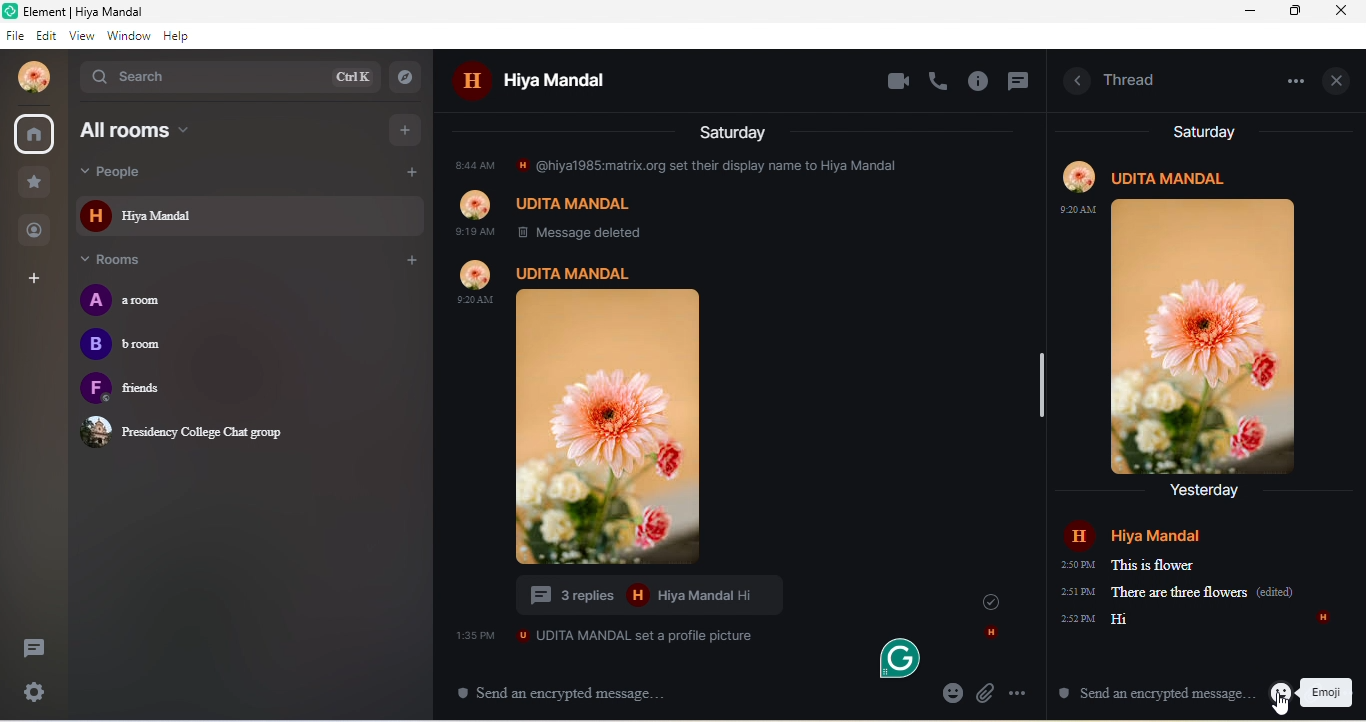 The width and height of the screenshot is (1366, 722). What do you see at coordinates (727, 134) in the screenshot?
I see `Saturday` at bounding box center [727, 134].